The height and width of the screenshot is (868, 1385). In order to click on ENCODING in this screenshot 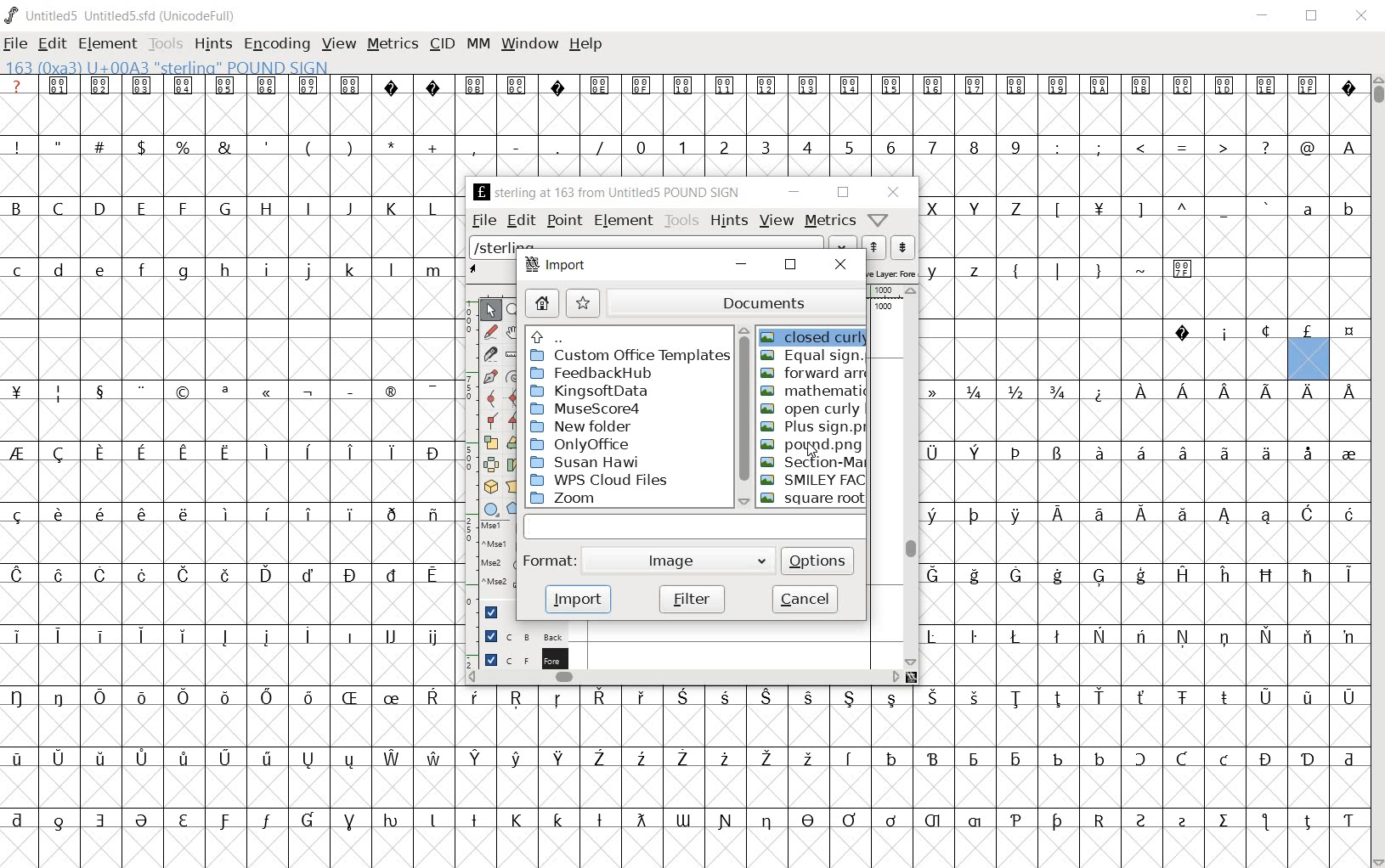, I will do `click(275, 45)`.